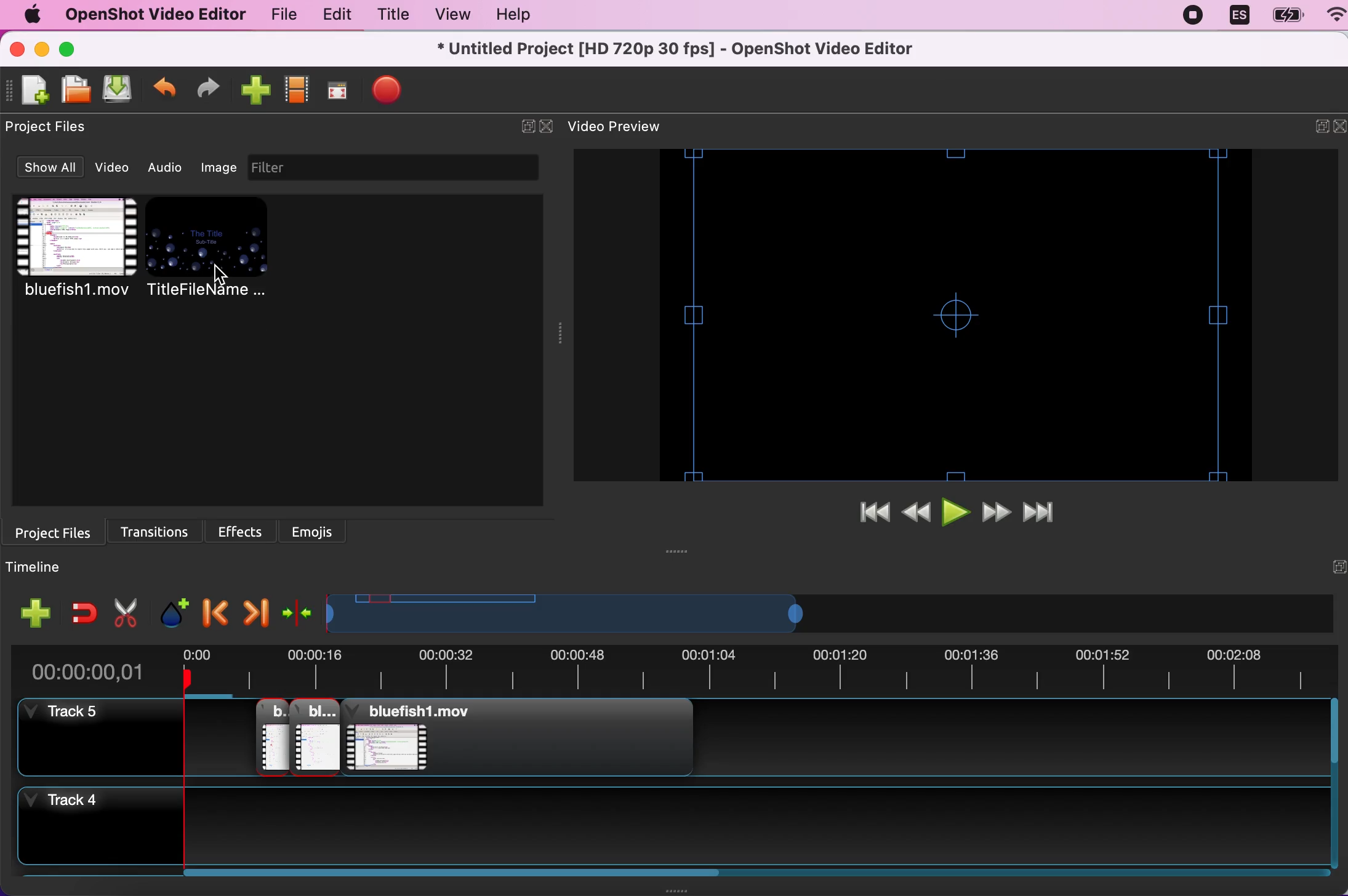 The width and height of the screenshot is (1348, 896). What do you see at coordinates (1332, 567) in the screenshot?
I see `hide/expand` at bounding box center [1332, 567].